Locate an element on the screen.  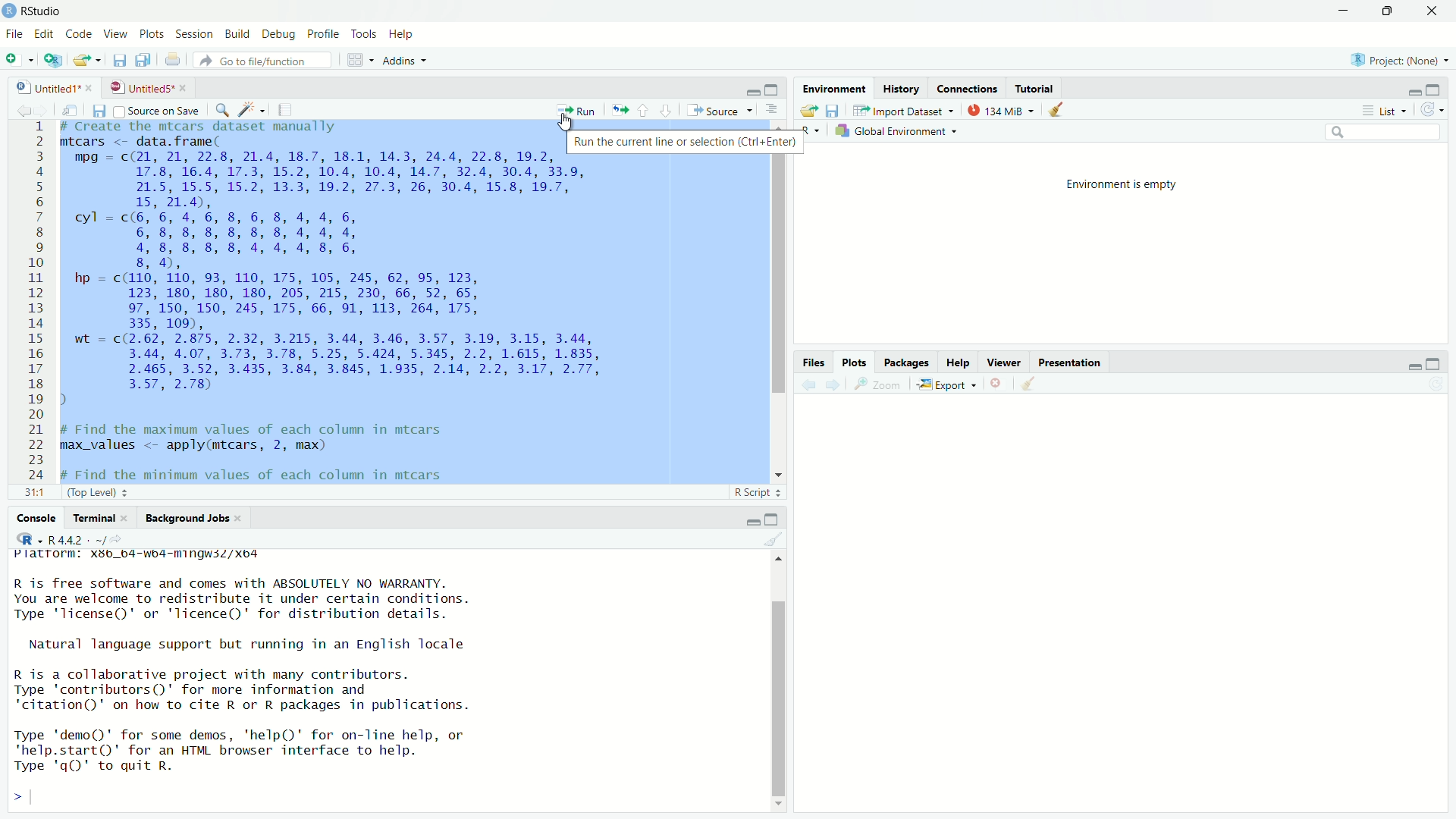
minimise is located at coordinates (1341, 11).